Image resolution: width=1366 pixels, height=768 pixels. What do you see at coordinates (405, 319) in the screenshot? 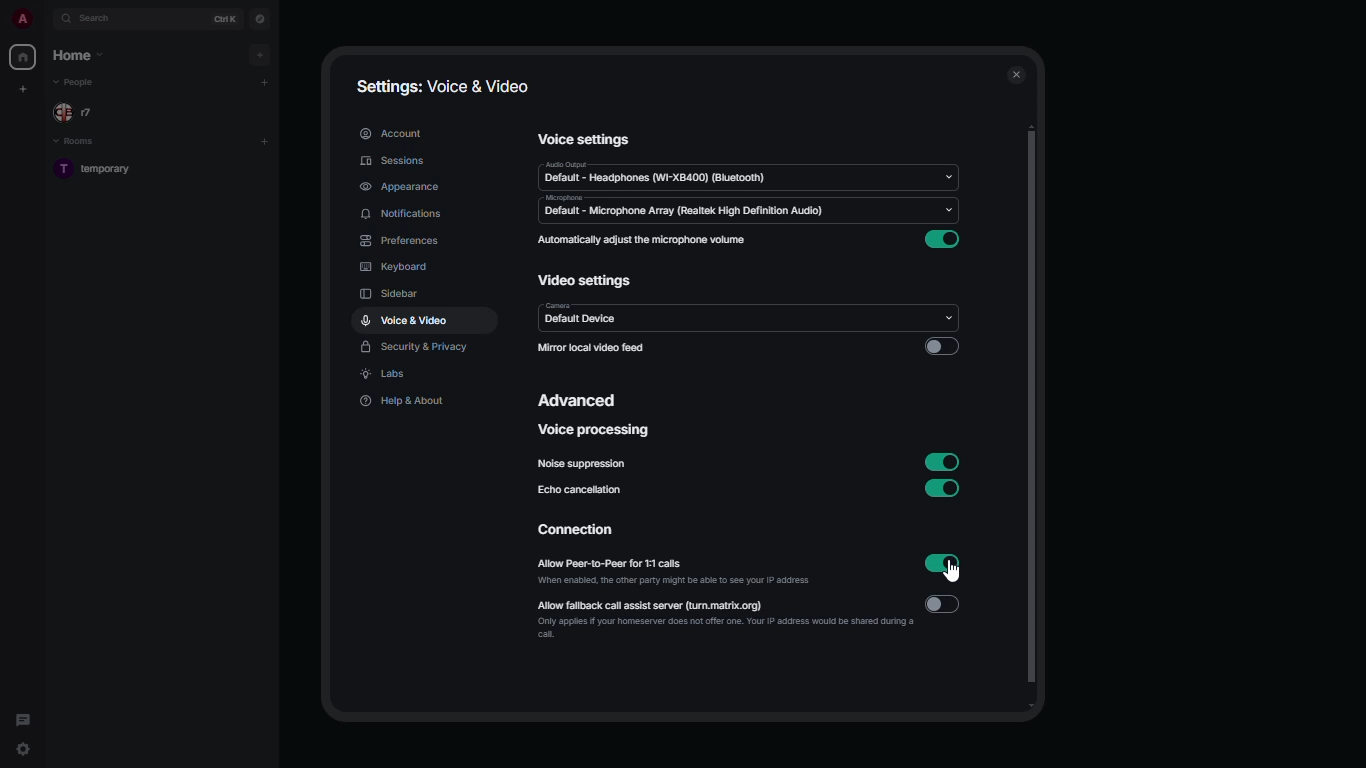
I see `voice & video` at bounding box center [405, 319].